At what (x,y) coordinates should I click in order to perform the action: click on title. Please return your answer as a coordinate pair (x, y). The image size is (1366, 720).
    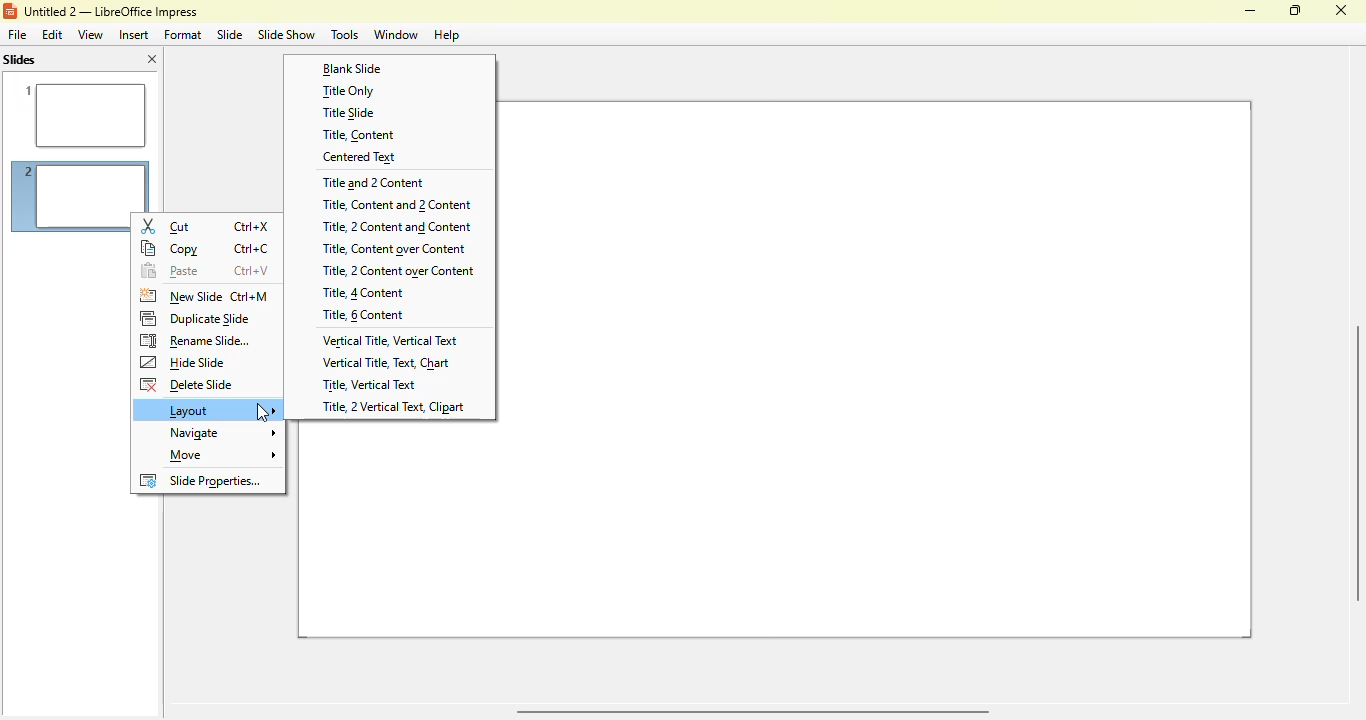
    Looking at the image, I should click on (110, 12).